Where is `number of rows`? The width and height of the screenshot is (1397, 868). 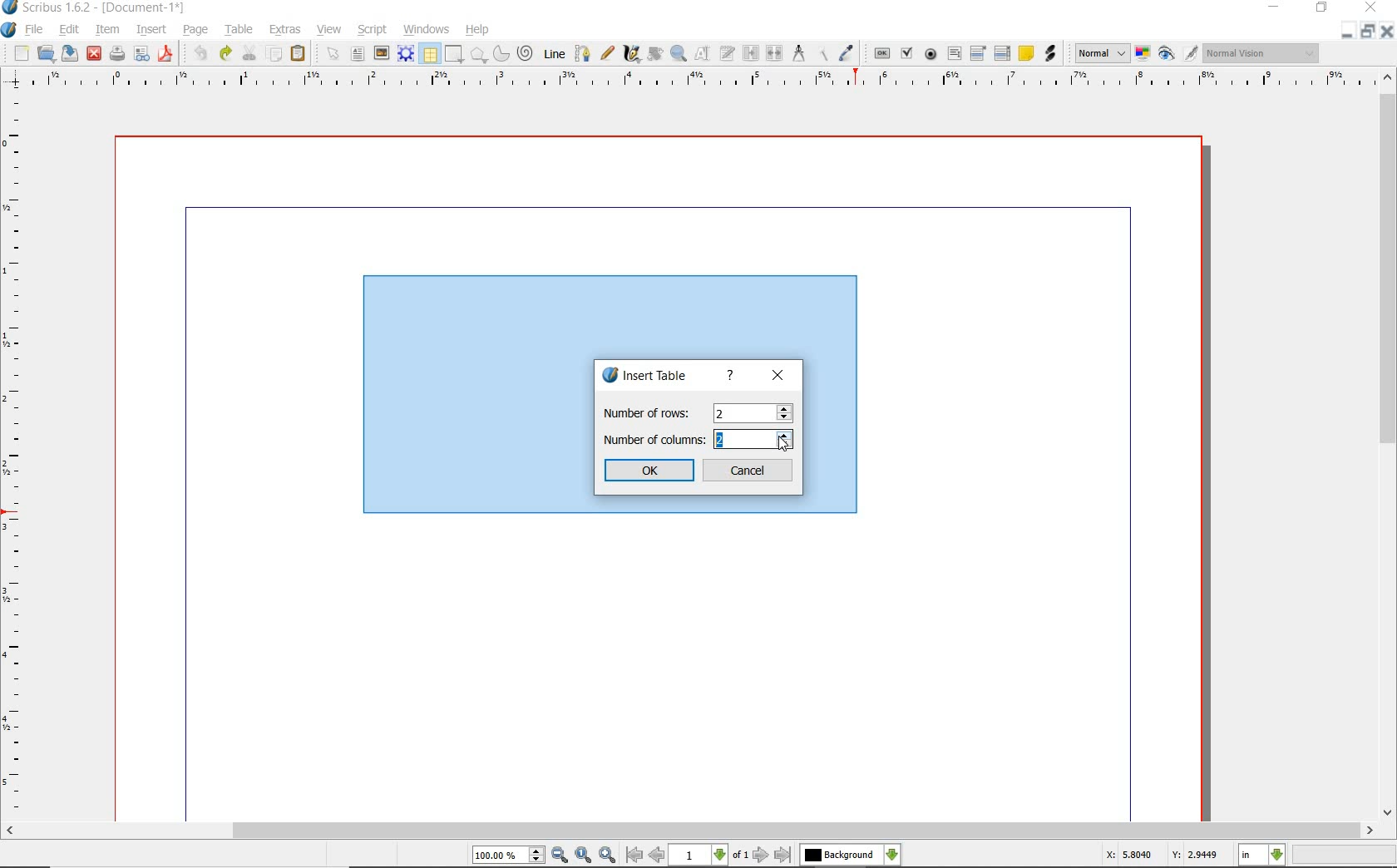 number of rows is located at coordinates (695, 412).